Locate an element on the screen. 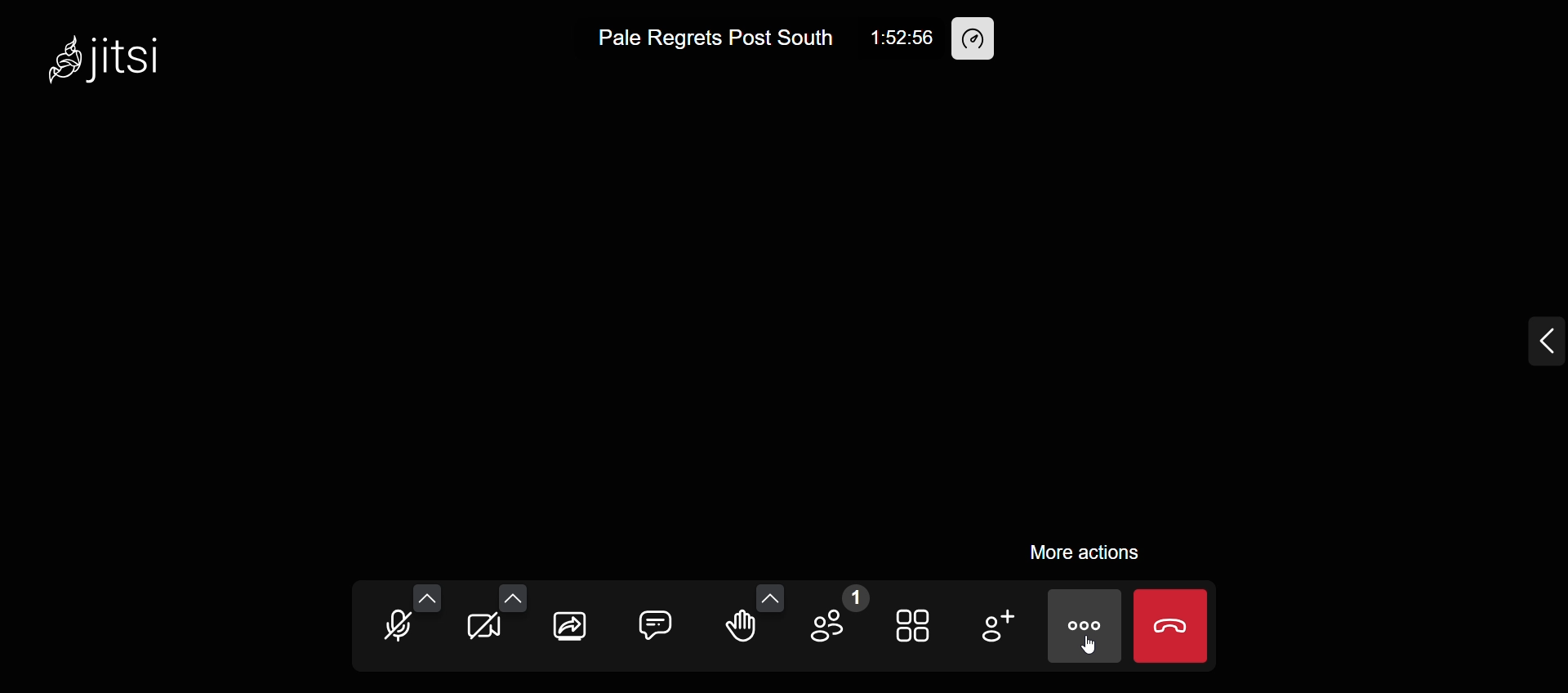  participants is located at coordinates (839, 617).